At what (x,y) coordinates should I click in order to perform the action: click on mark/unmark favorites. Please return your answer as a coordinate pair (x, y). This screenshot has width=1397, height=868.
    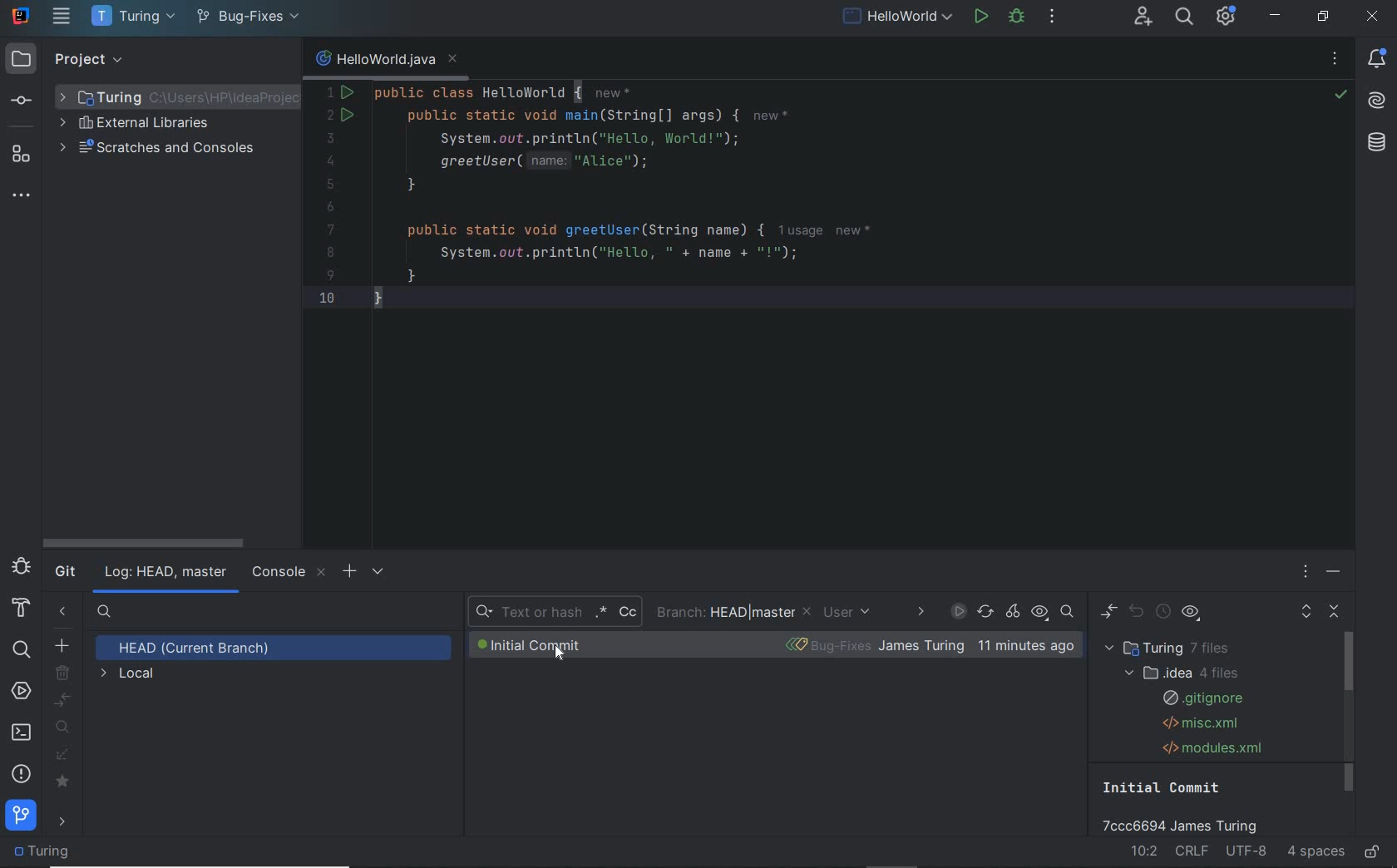
    Looking at the image, I should click on (66, 782).